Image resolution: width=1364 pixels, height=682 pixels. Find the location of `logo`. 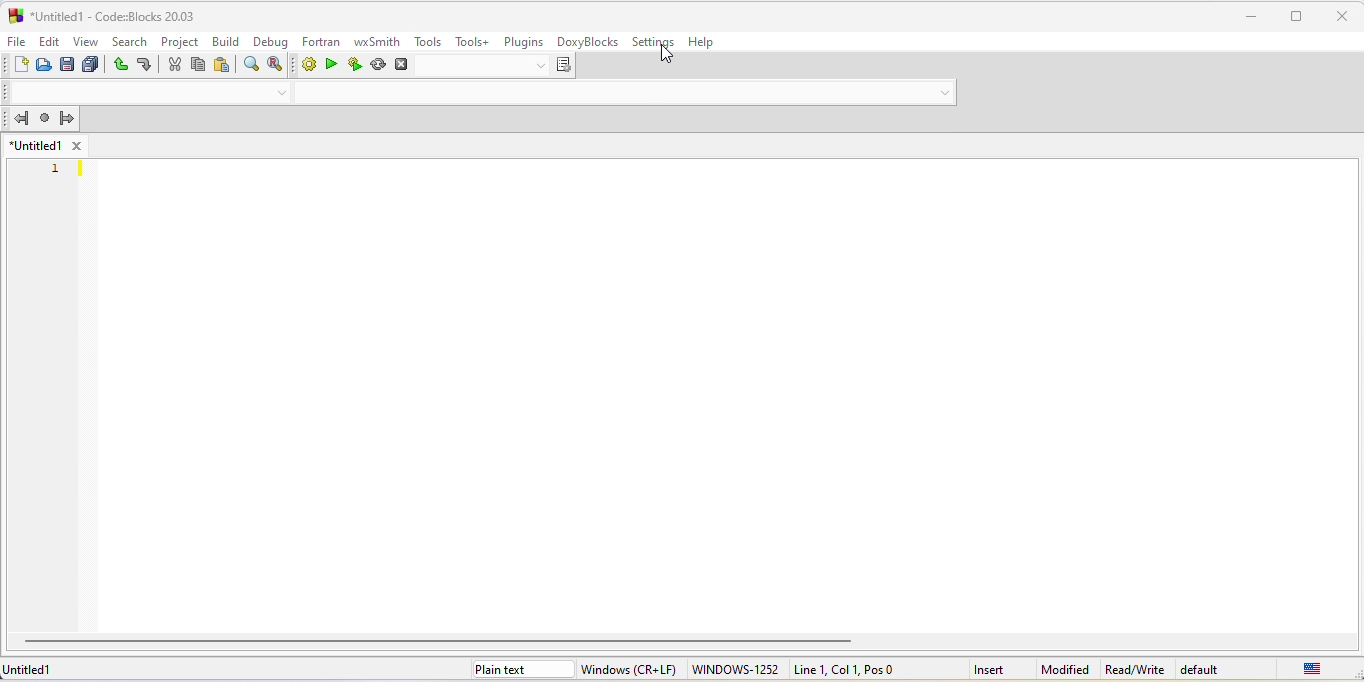

logo is located at coordinates (15, 16).